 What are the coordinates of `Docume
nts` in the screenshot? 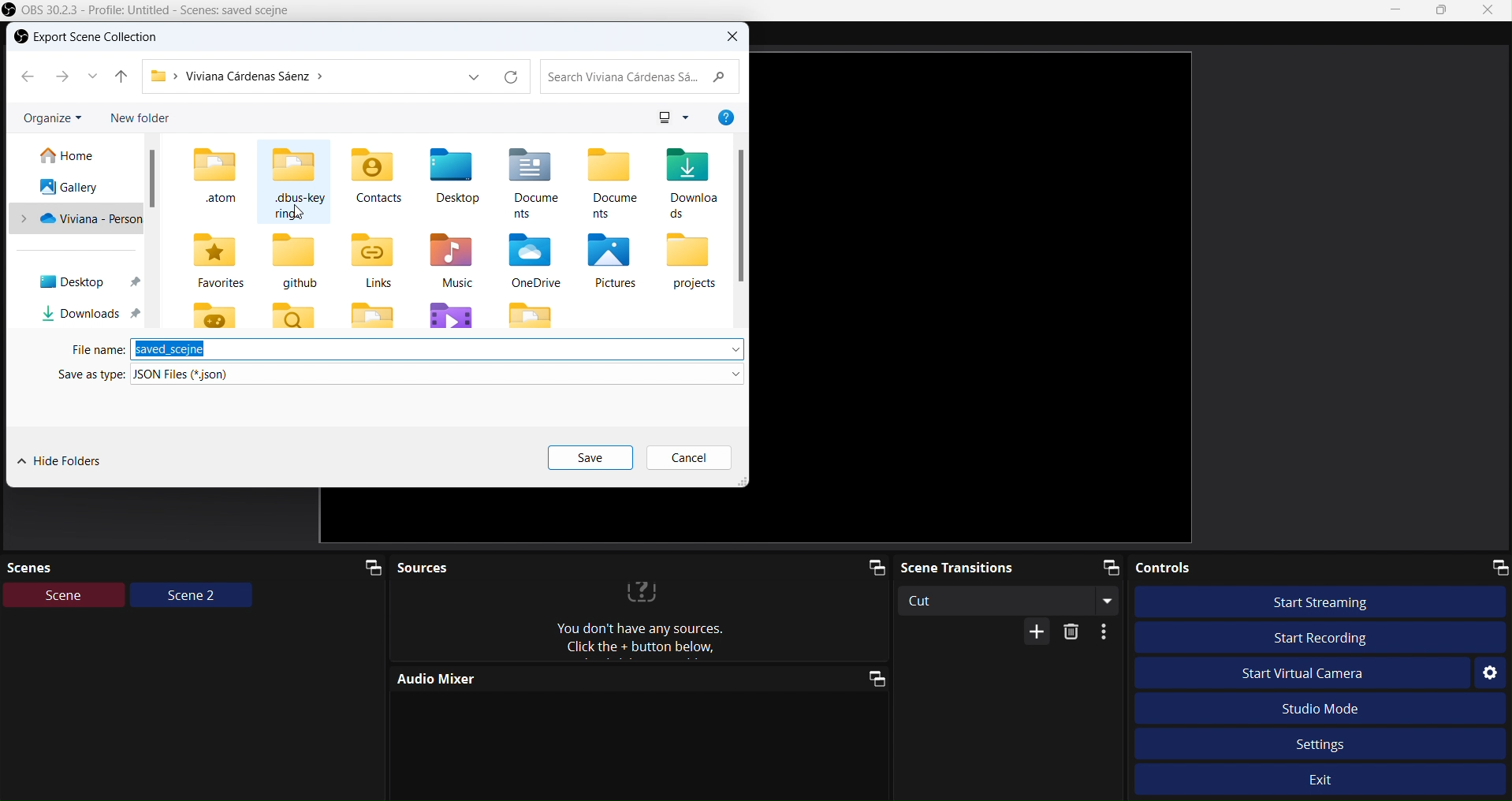 It's located at (531, 181).